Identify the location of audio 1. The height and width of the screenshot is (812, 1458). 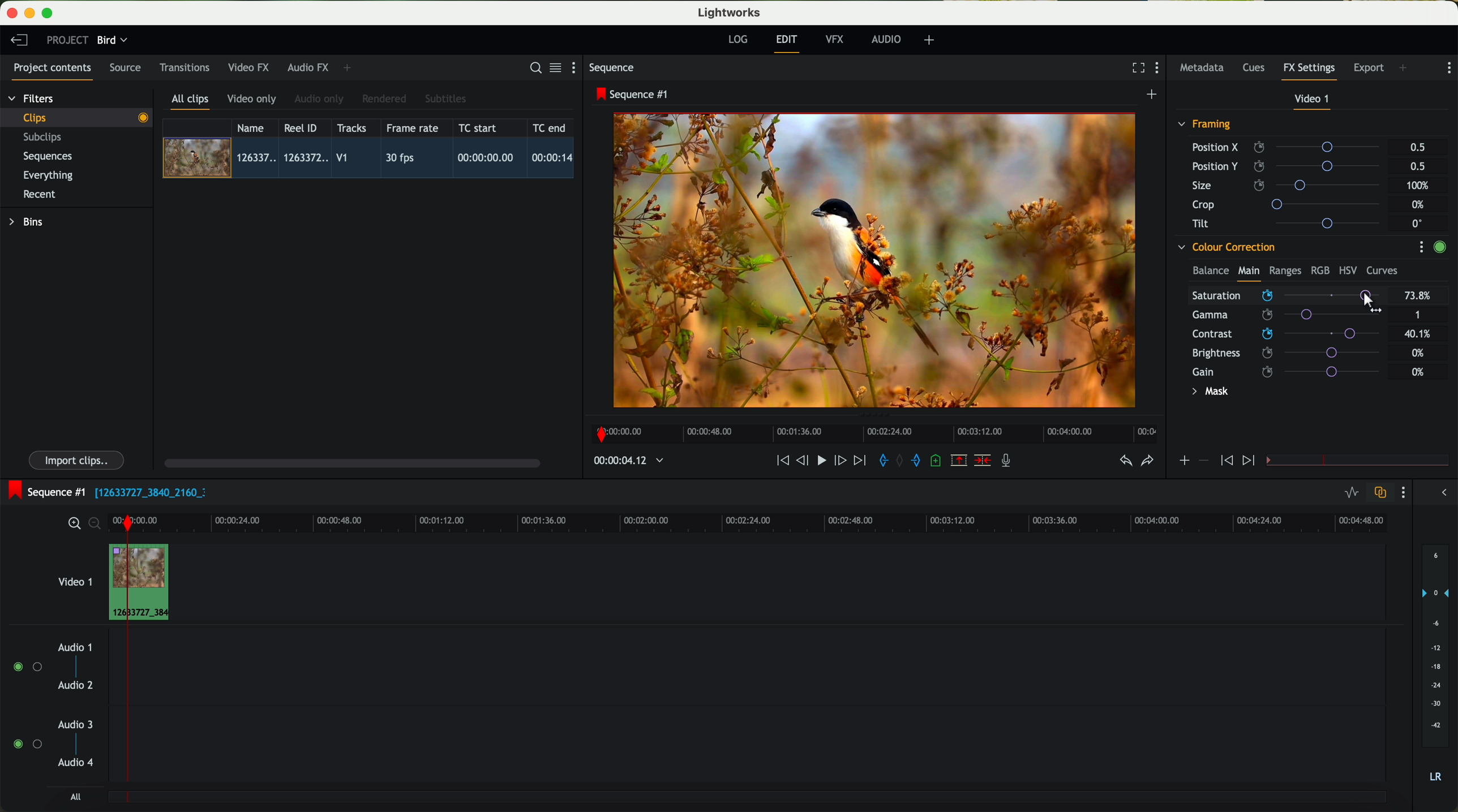
(75, 647).